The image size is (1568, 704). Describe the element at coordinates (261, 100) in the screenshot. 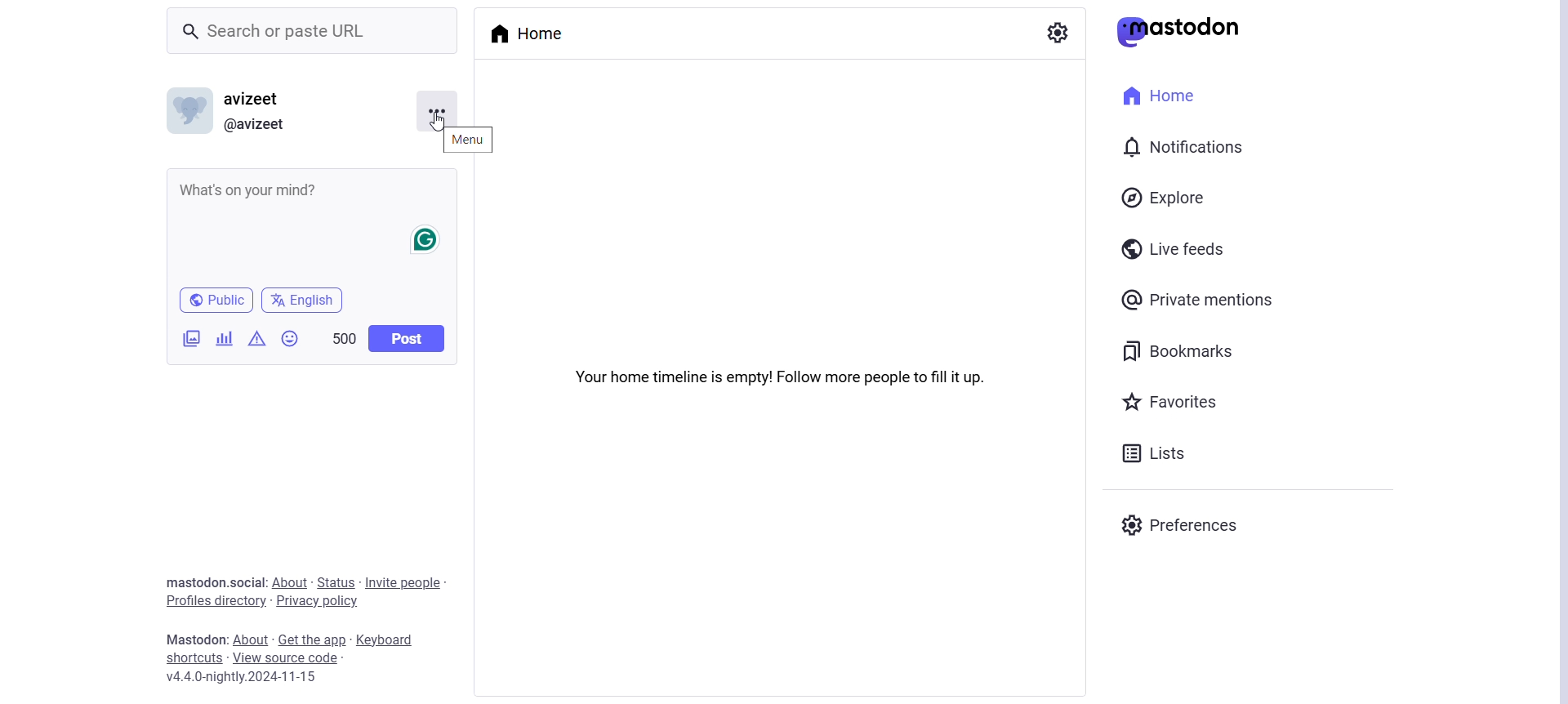

I see `User Name` at that location.